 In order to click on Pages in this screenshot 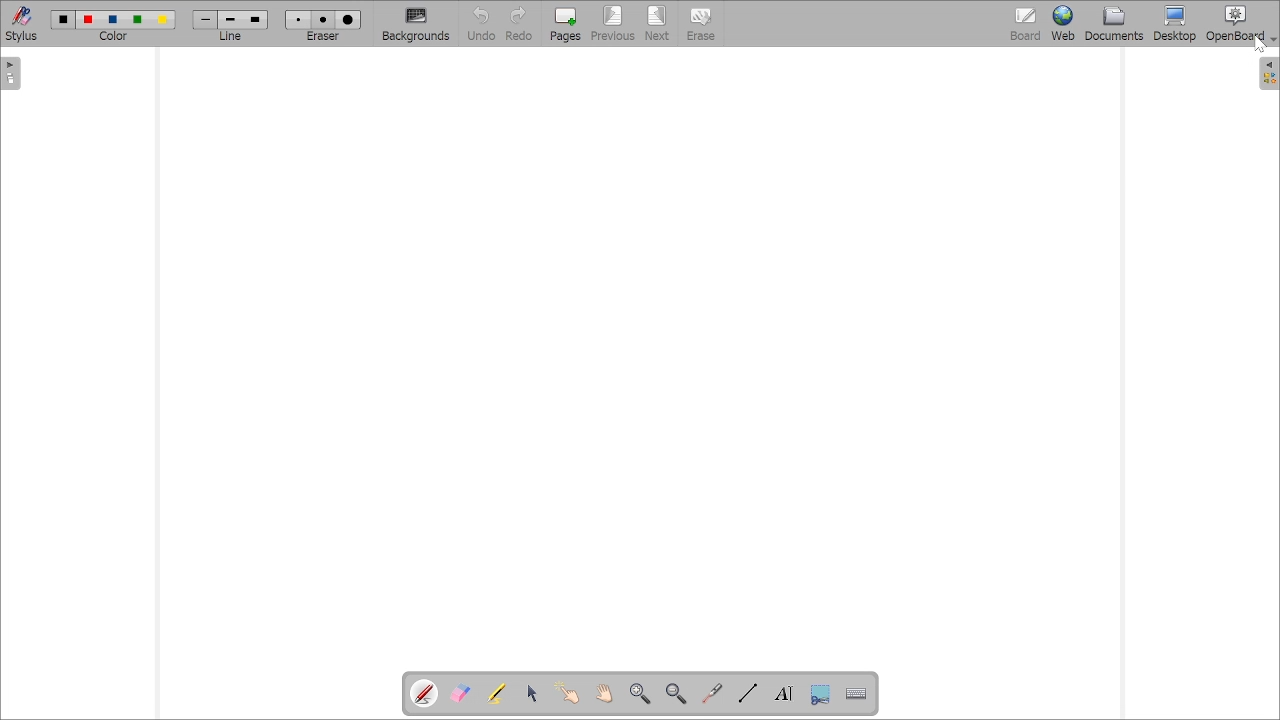, I will do `click(563, 25)`.